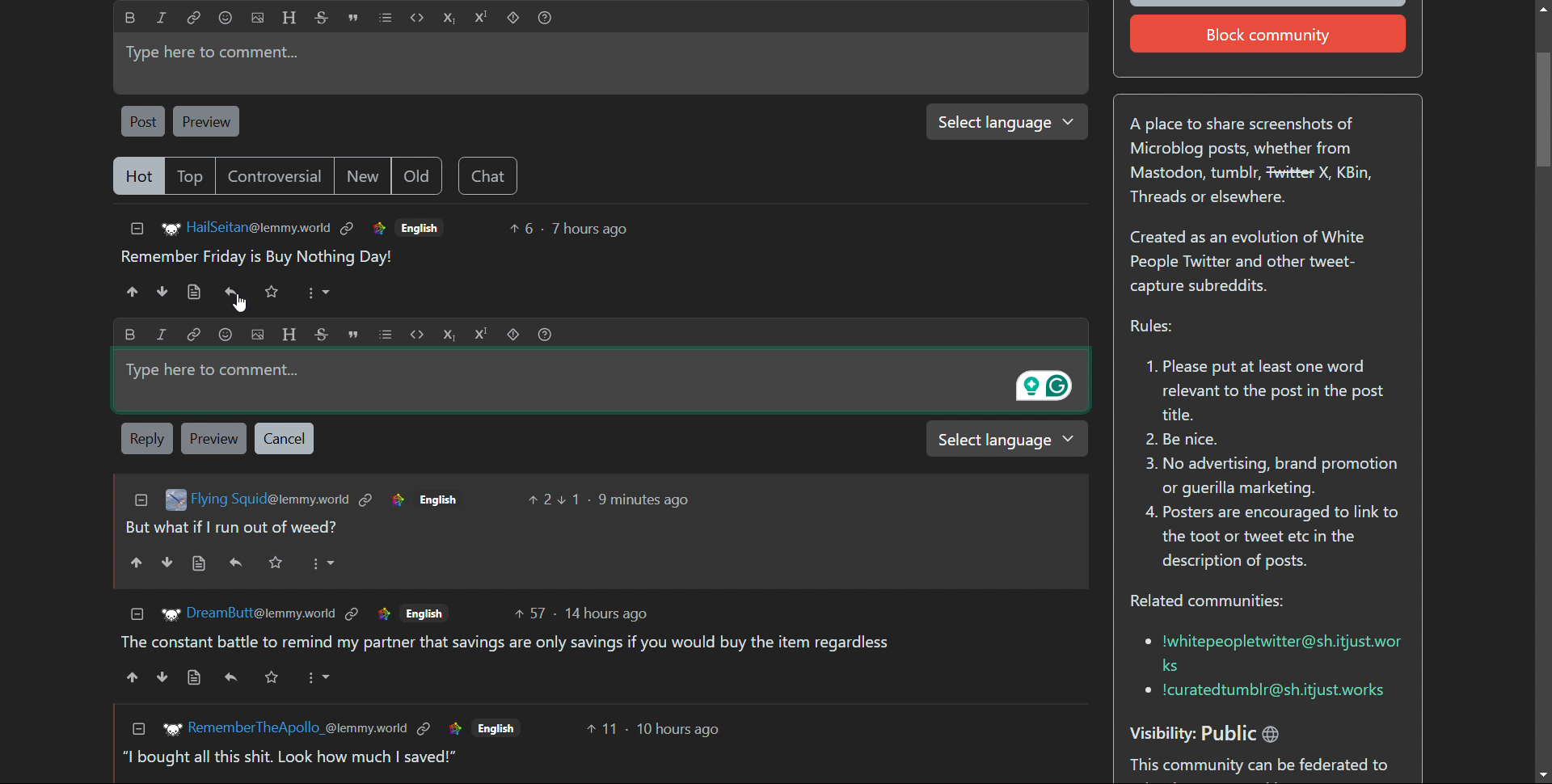 The height and width of the screenshot is (784, 1552). What do you see at coordinates (167, 230) in the screenshot?
I see `image` at bounding box center [167, 230].